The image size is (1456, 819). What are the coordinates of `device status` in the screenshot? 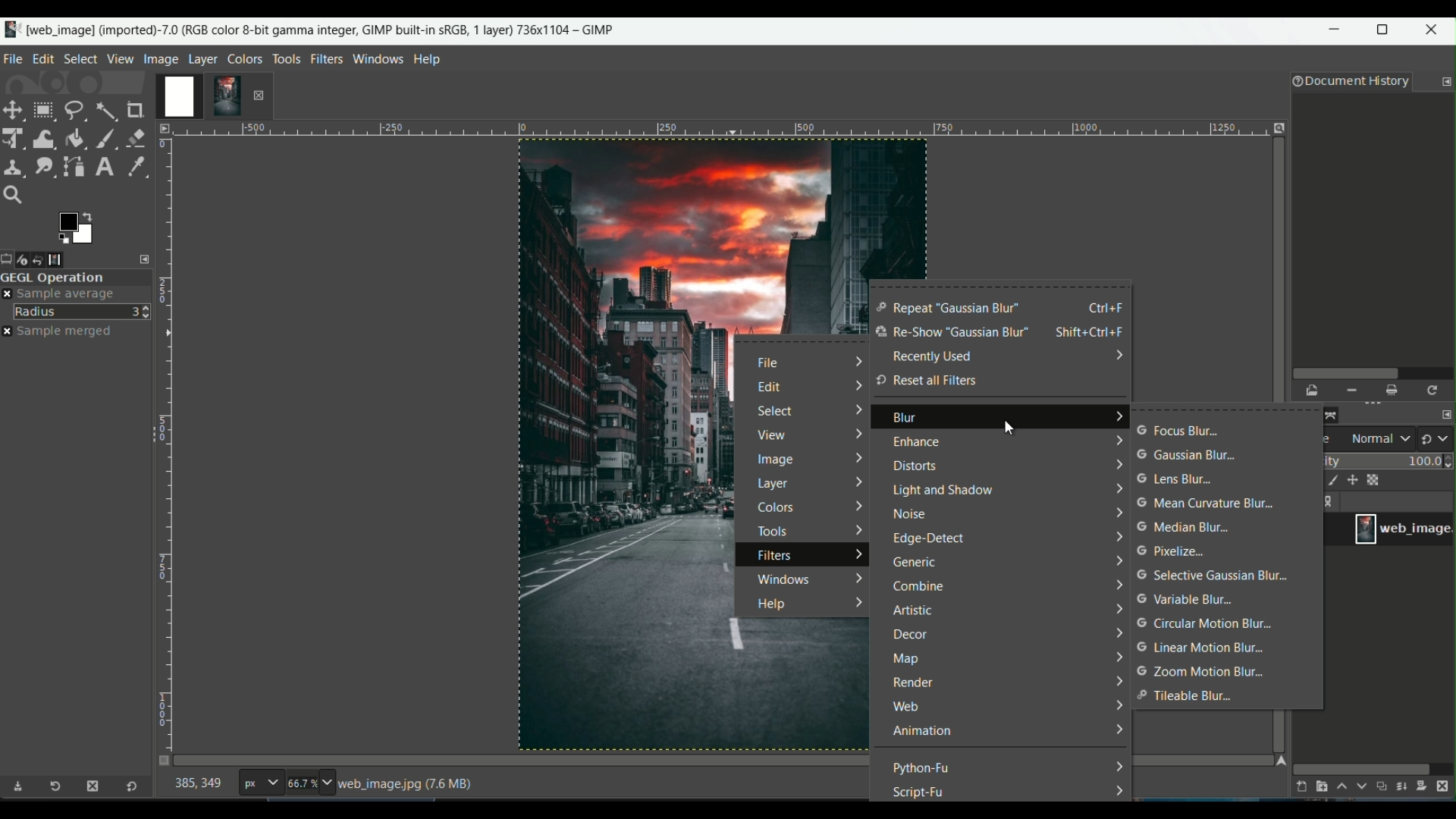 It's located at (28, 259).